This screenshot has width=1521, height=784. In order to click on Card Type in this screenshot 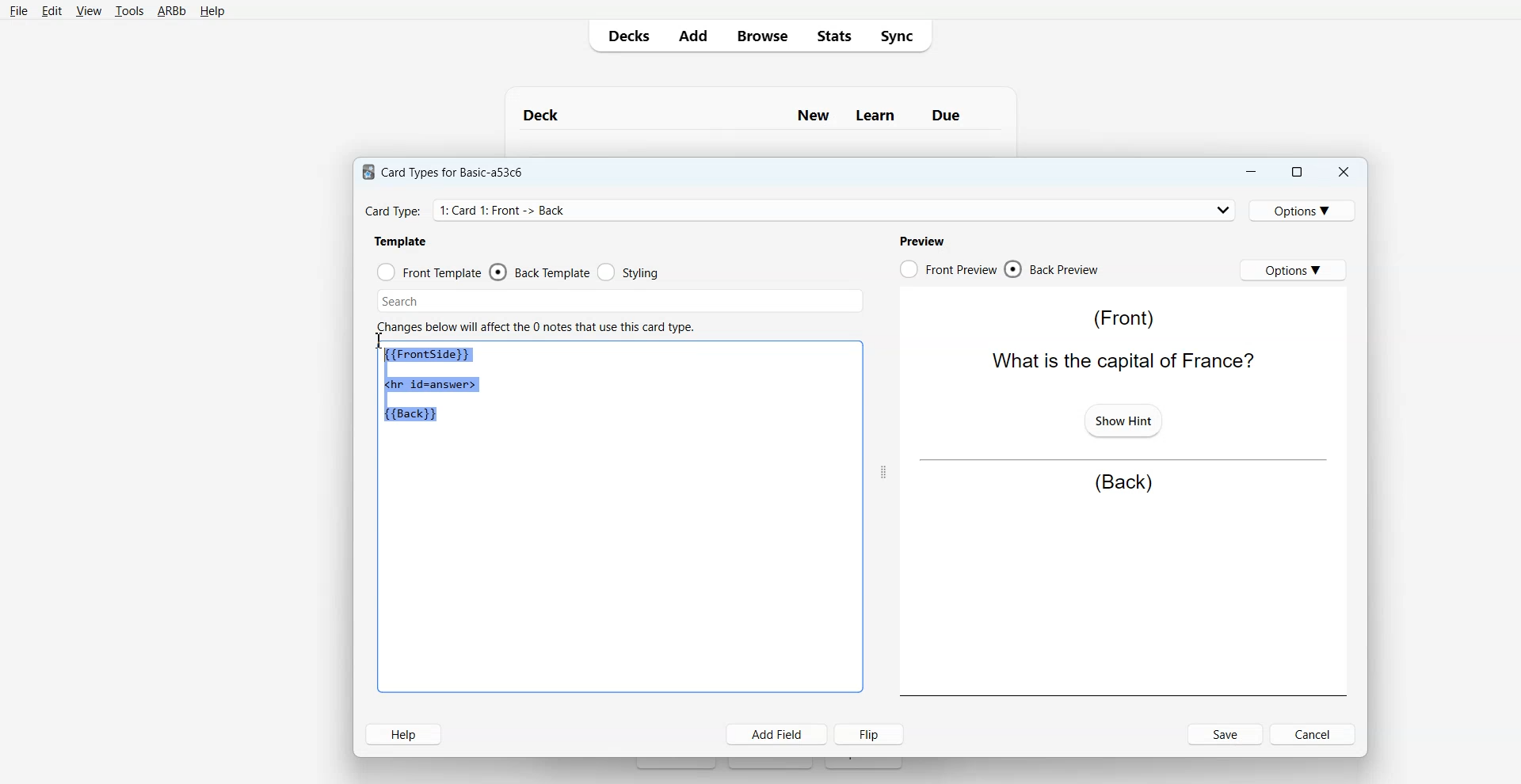, I will do `click(801, 210)`.